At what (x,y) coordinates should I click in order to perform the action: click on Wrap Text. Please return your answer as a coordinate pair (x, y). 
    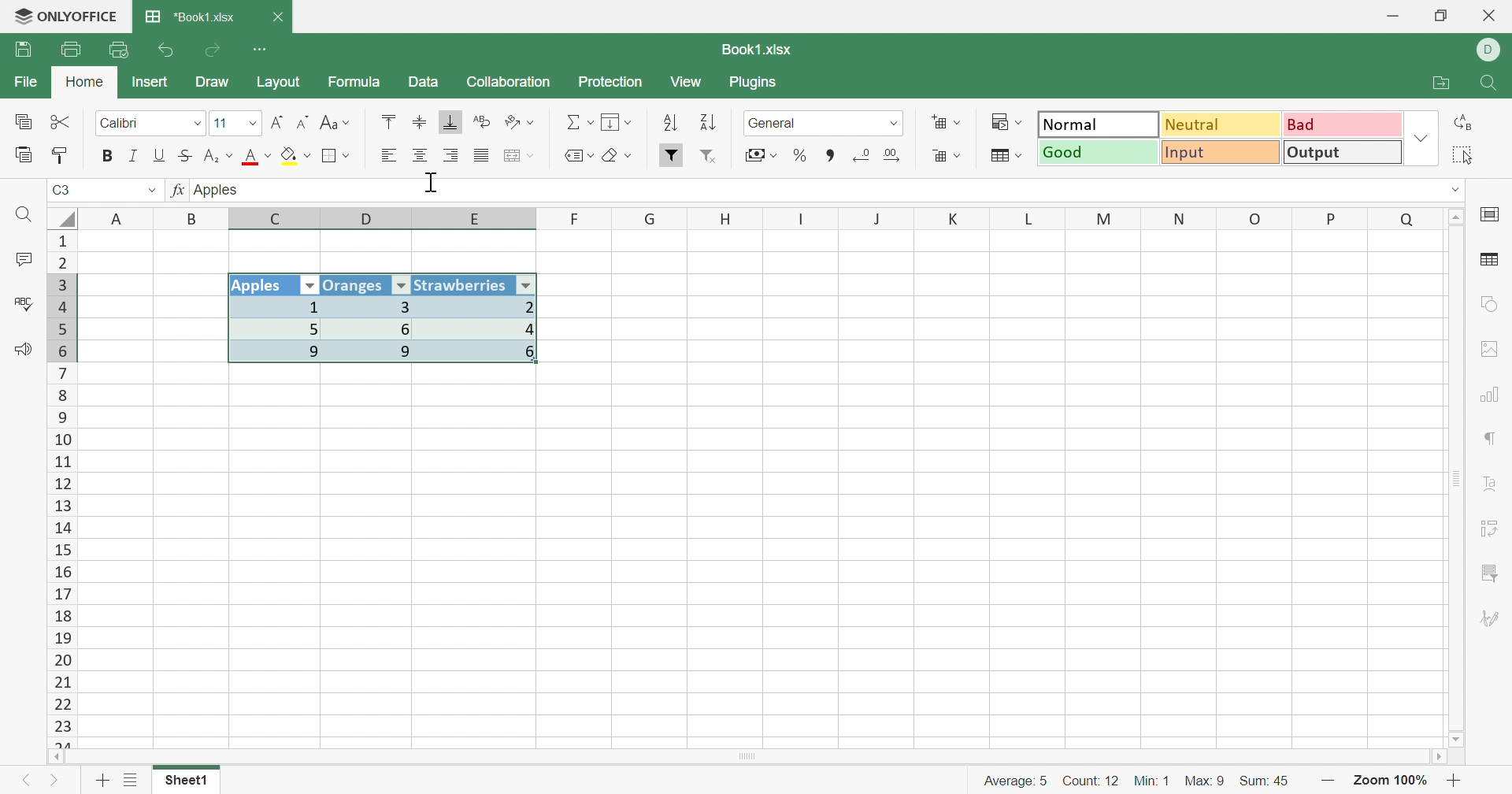
    Looking at the image, I should click on (480, 123).